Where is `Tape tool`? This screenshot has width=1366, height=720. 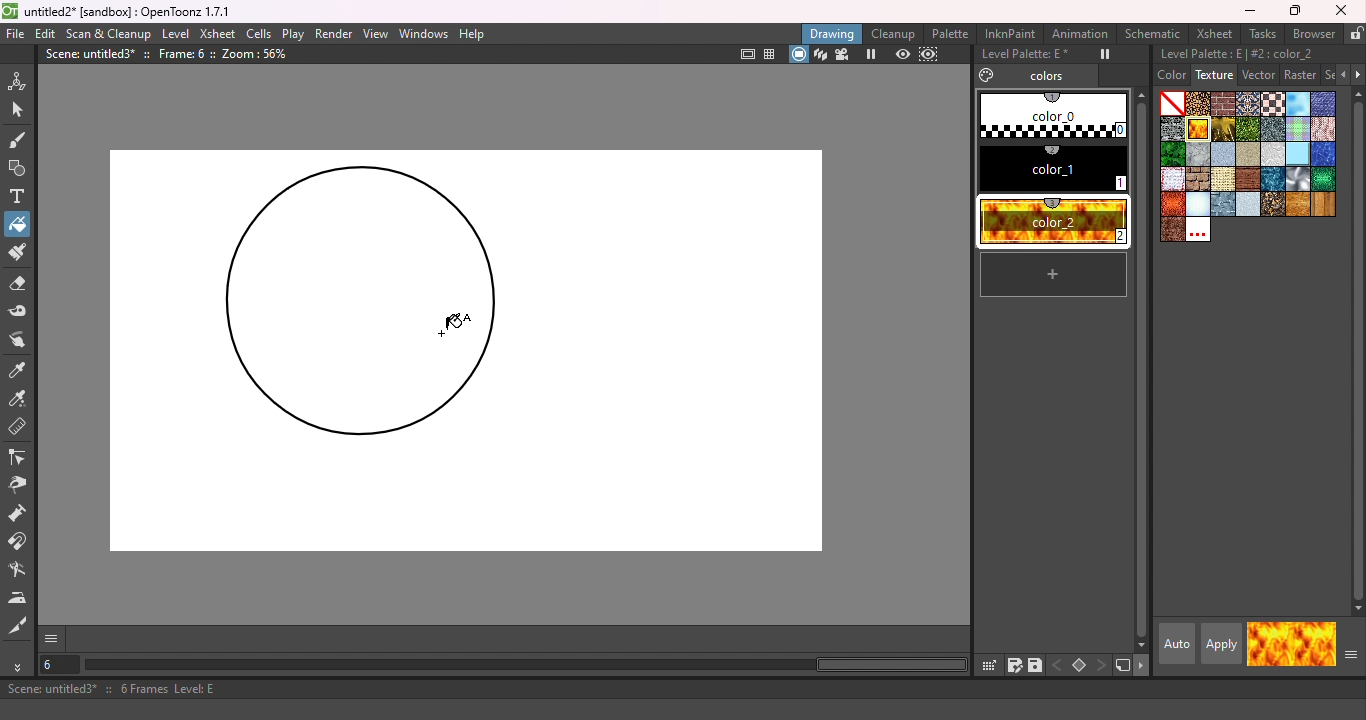 Tape tool is located at coordinates (21, 311).